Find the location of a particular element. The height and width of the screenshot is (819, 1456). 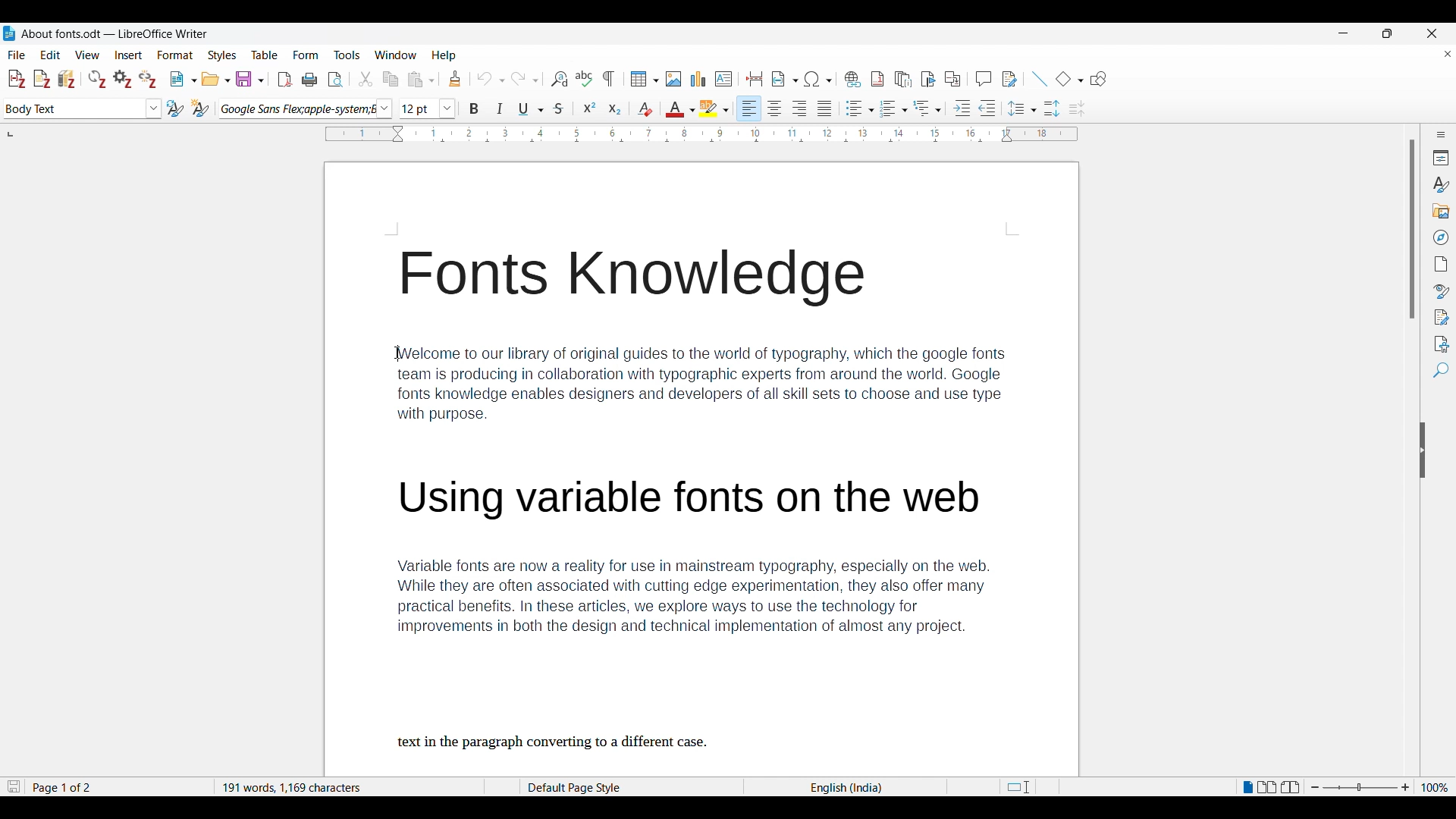

Strike through  is located at coordinates (559, 108).